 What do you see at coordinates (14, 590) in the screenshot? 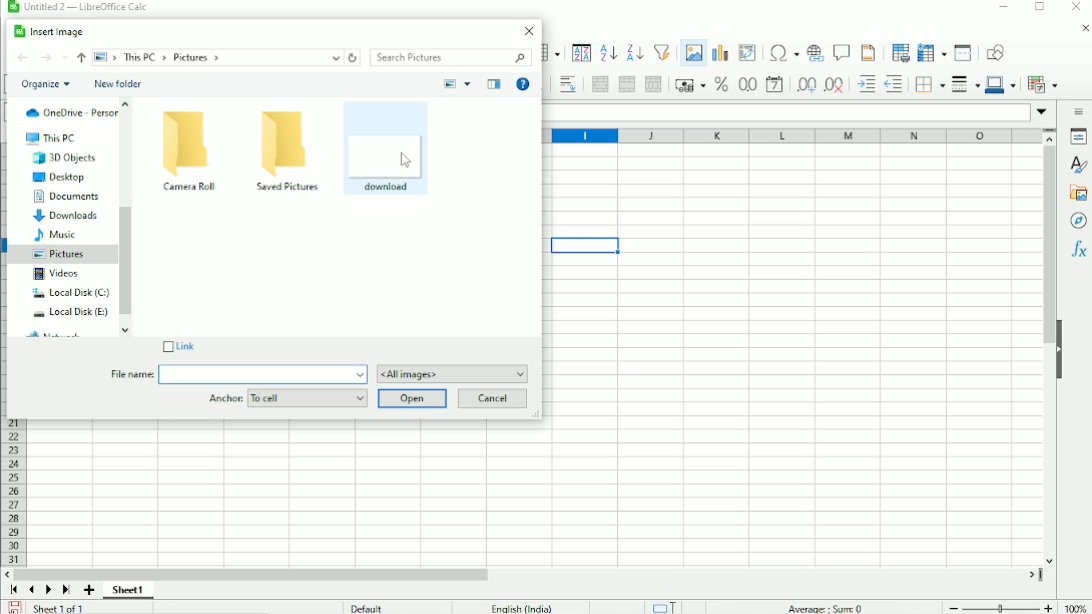
I see `Scroll to first sheet` at bounding box center [14, 590].